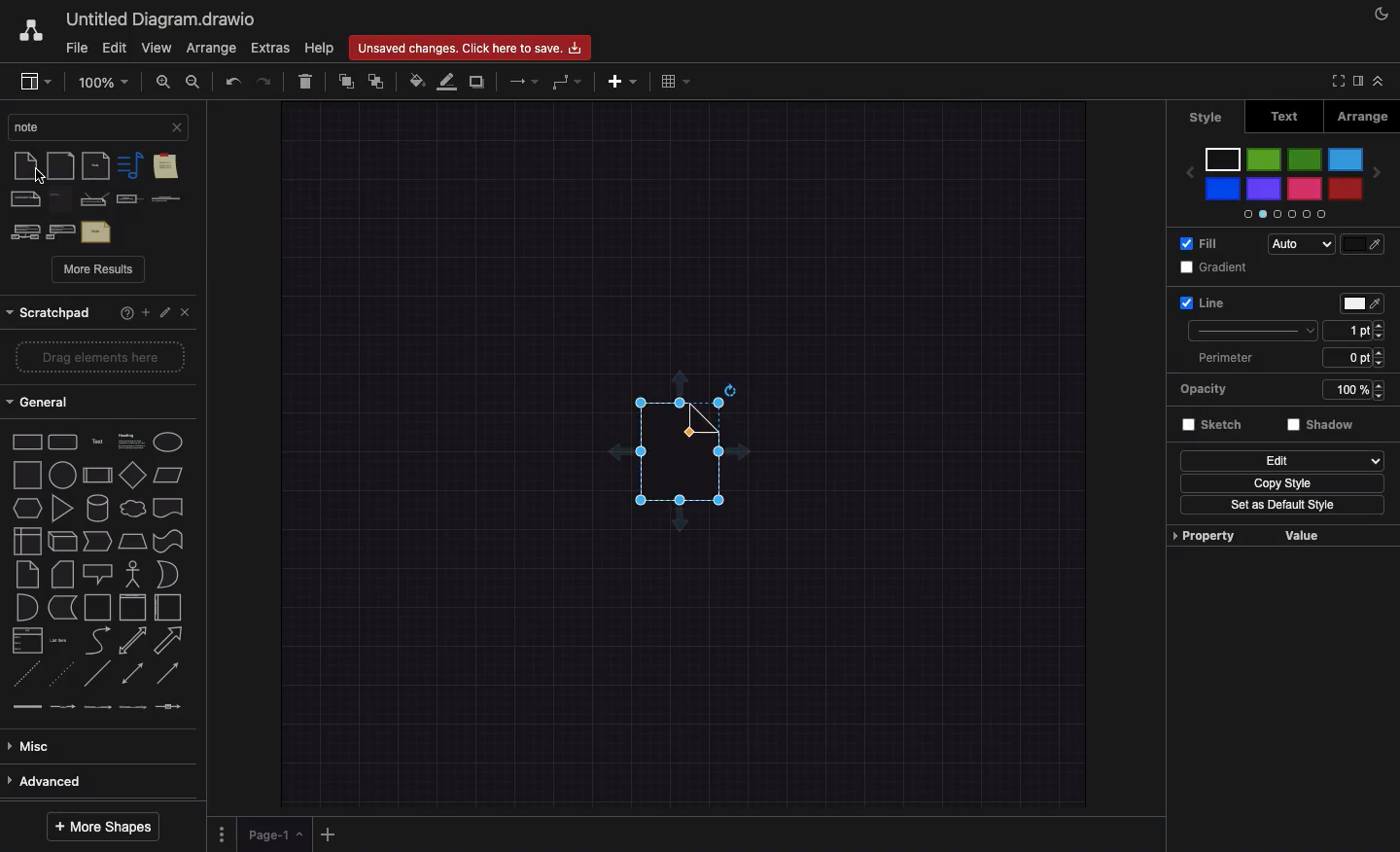 The height and width of the screenshot is (852, 1400). Describe the element at coordinates (27, 509) in the screenshot. I see `hexagon` at that location.